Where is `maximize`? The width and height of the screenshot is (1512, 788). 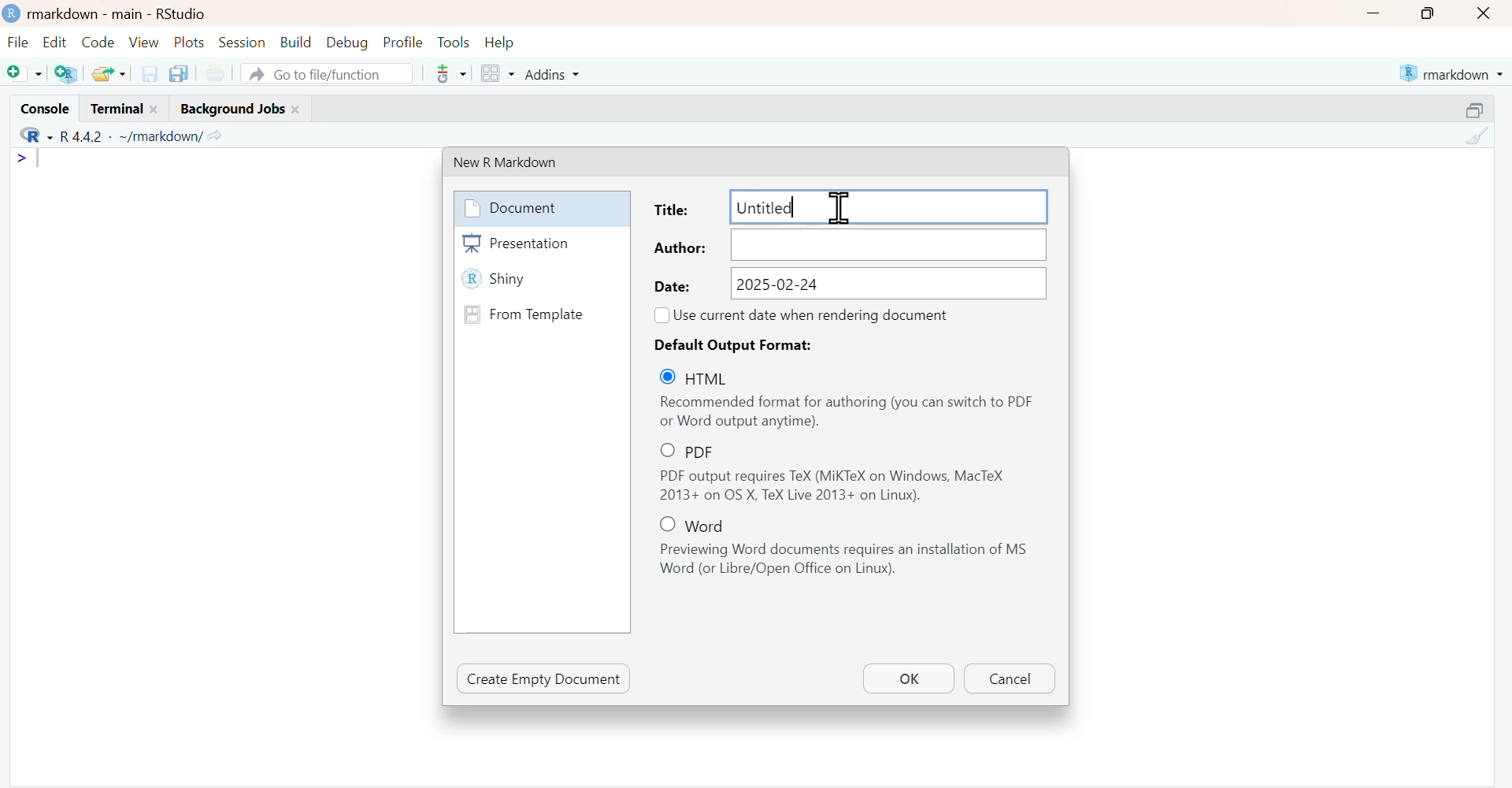 maximize is located at coordinates (1476, 109).